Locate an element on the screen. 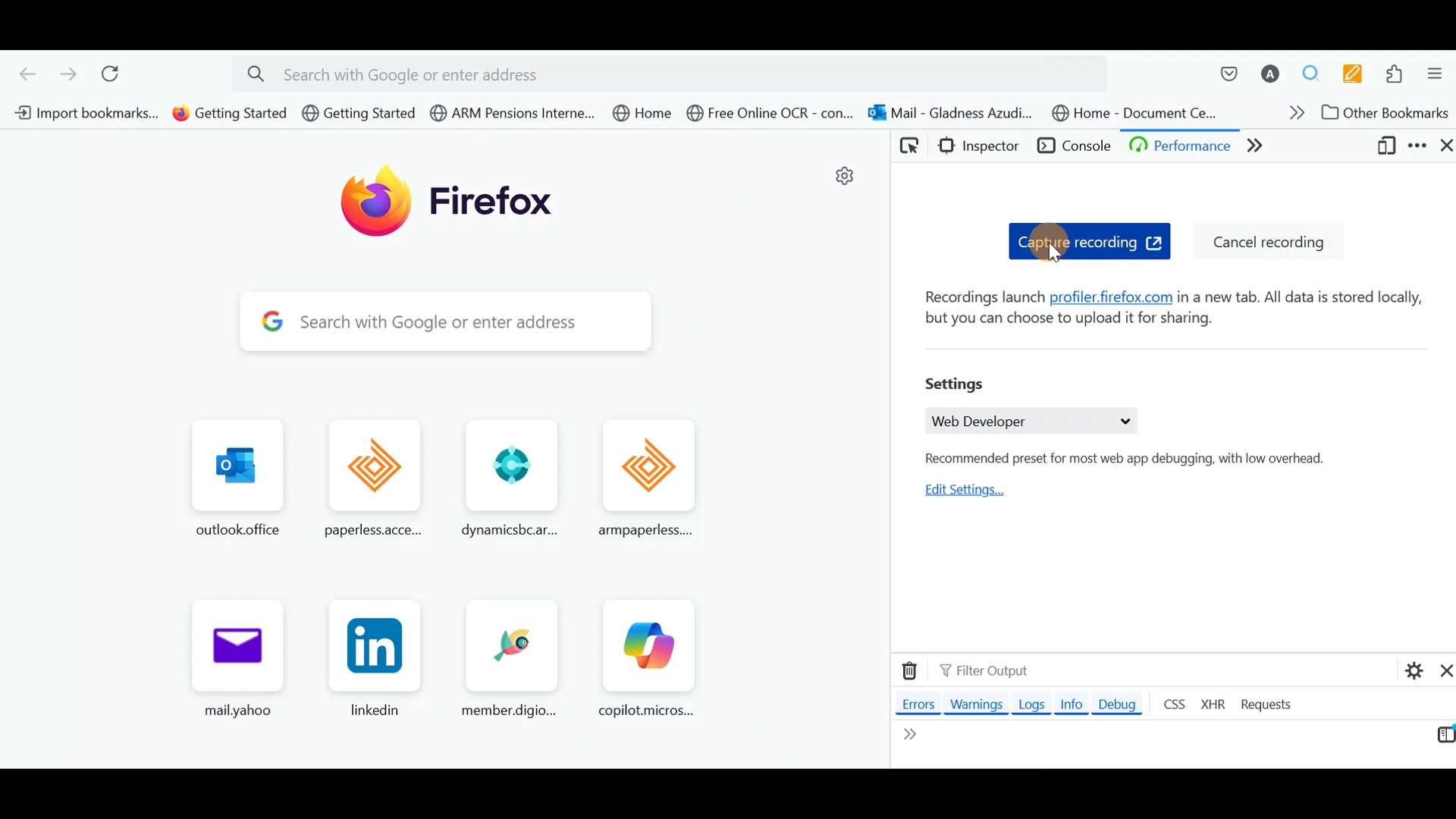 This screenshot has width=1456, height=819. Bookmark 1 is located at coordinates (81, 111).